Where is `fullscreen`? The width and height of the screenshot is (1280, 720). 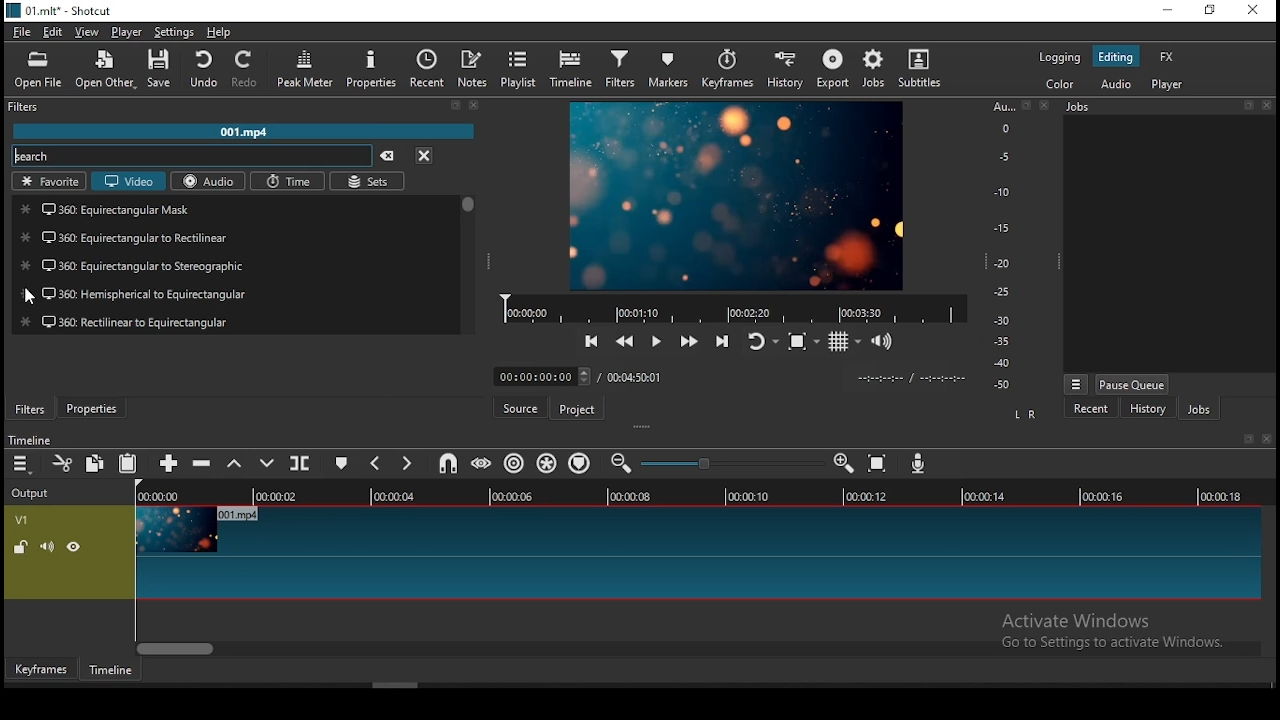
fullscreen is located at coordinates (457, 107).